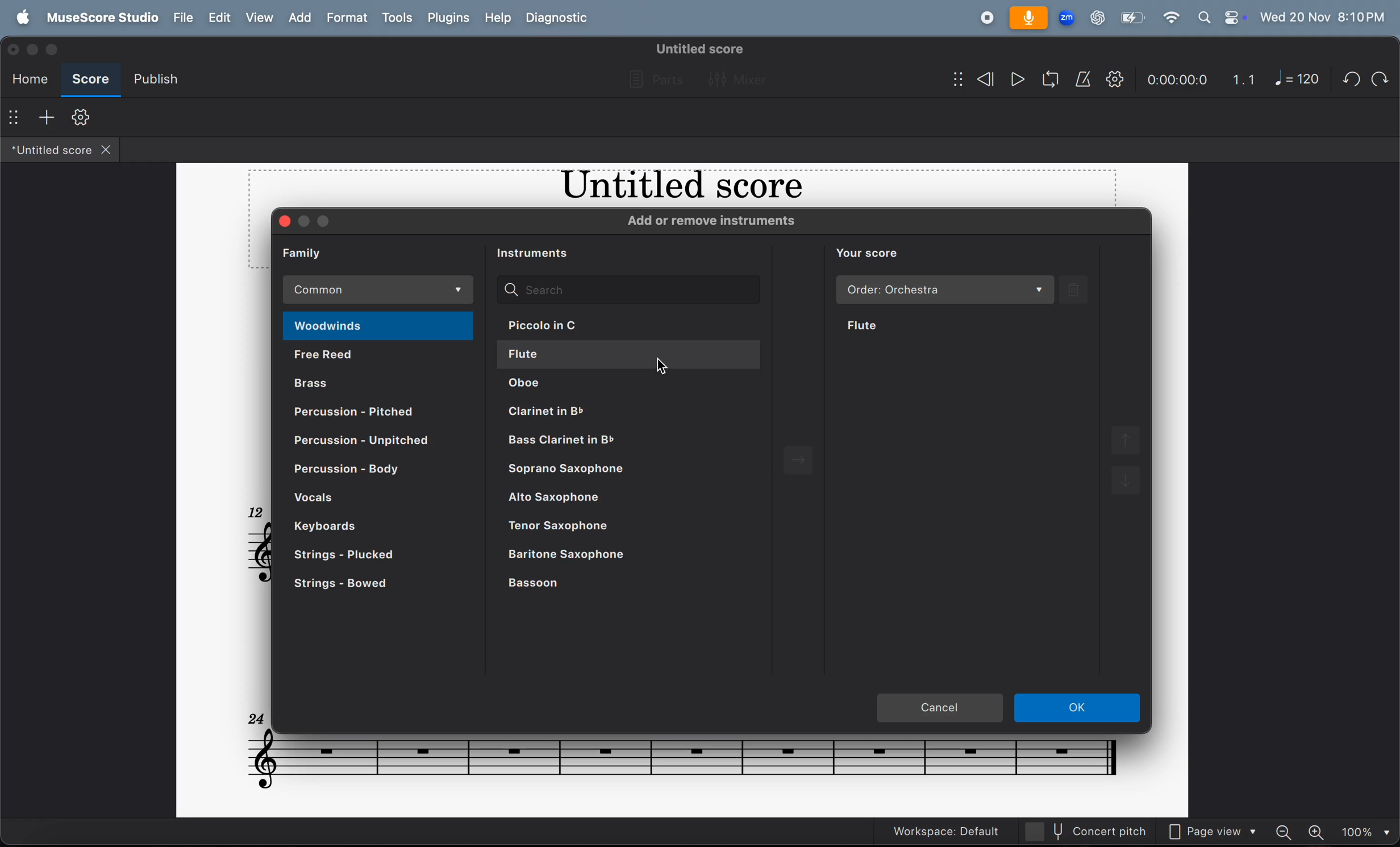 Image resolution: width=1400 pixels, height=847 pixels. I want to click on close, so click(112, 150).